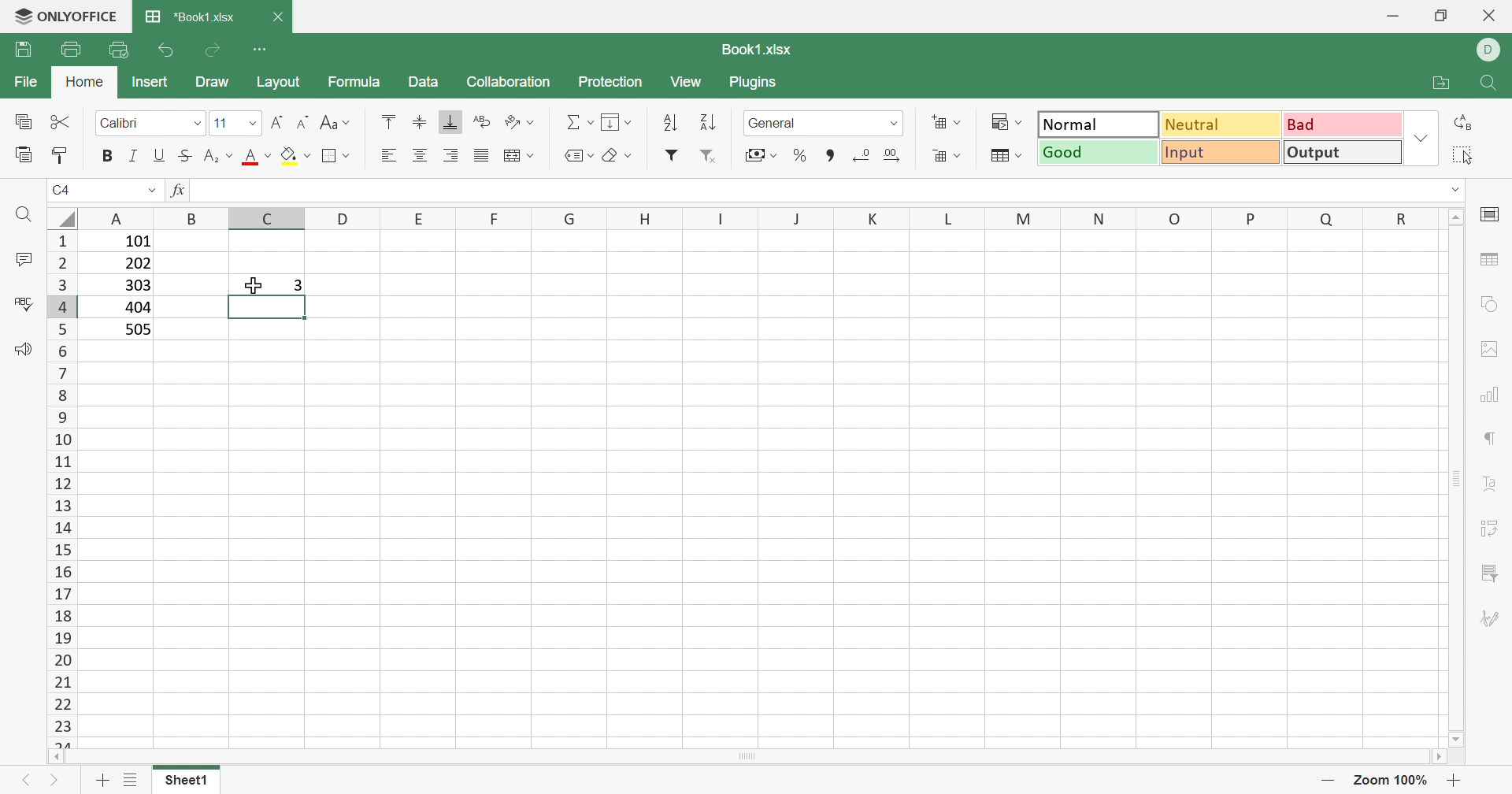 The image size is (1512, 794). What do you see at coordinates (708, 124) in the screenshot?
I see `Descending order` at bounding box center [708, 124].